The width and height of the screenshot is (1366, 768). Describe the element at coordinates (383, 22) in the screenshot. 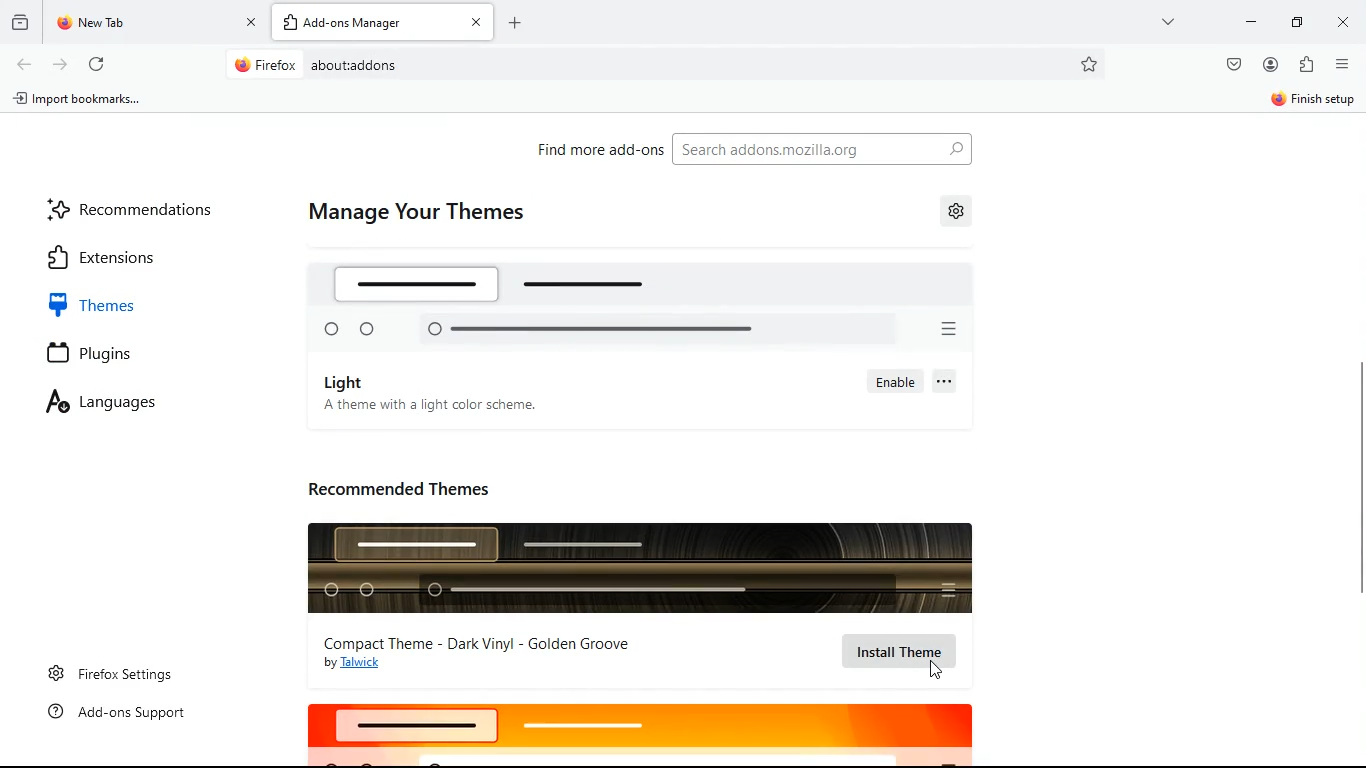

I see `add-ons tab` at that location.